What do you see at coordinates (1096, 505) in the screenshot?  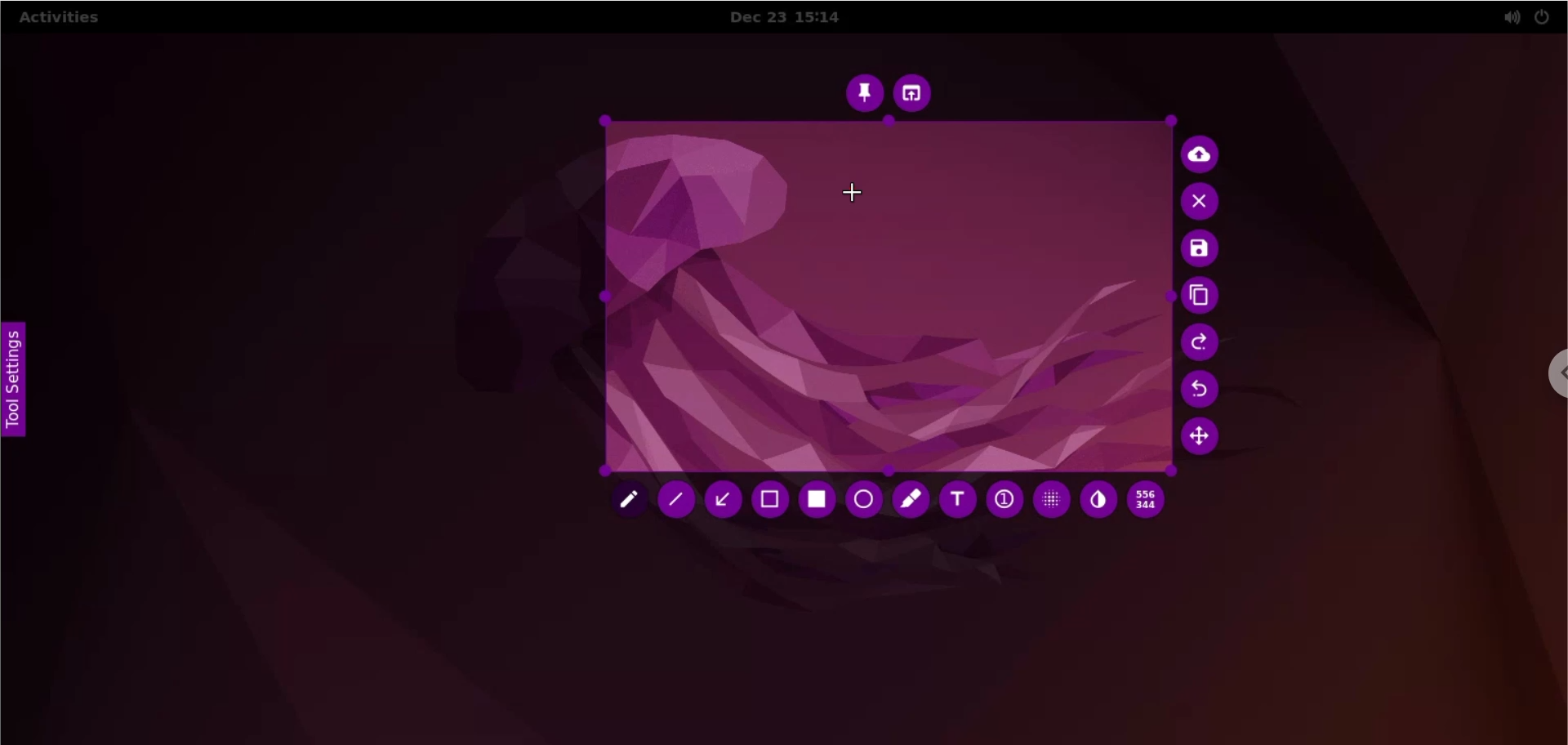 I see `inverter tool` at bounding box center [1096, 505].